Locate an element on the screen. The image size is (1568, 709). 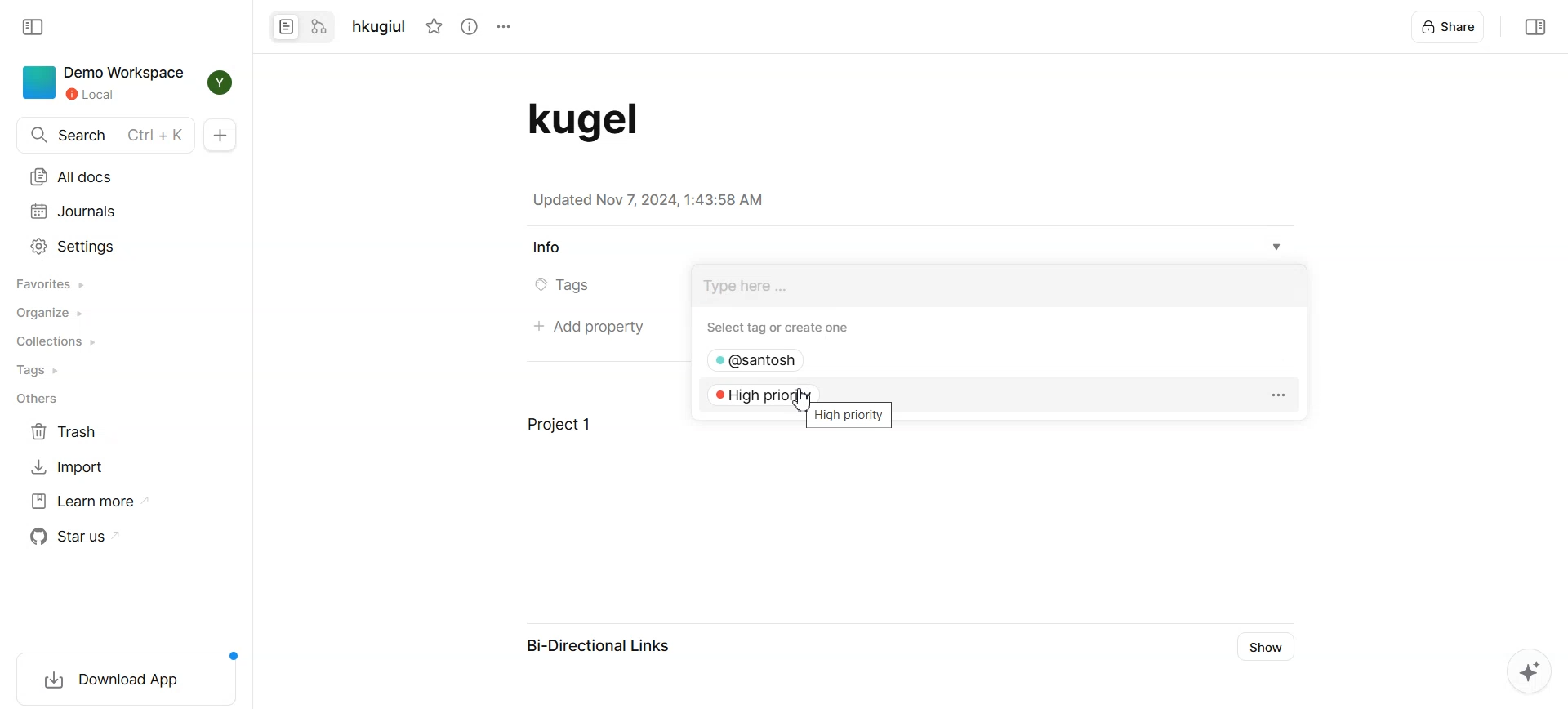
download app is located at coordinates (125, 680).